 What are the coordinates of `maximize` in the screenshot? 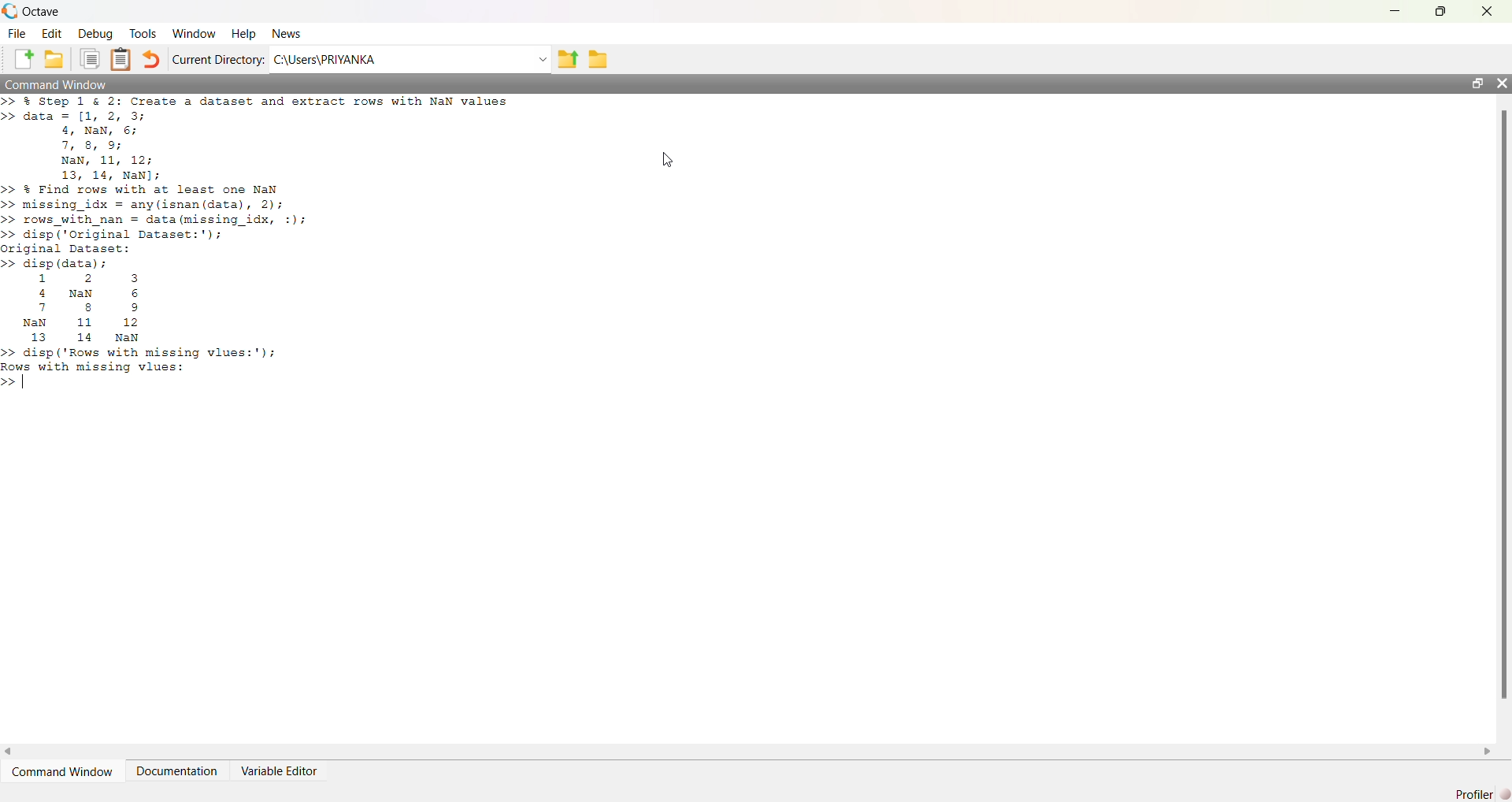 It's located at (1477, 83).